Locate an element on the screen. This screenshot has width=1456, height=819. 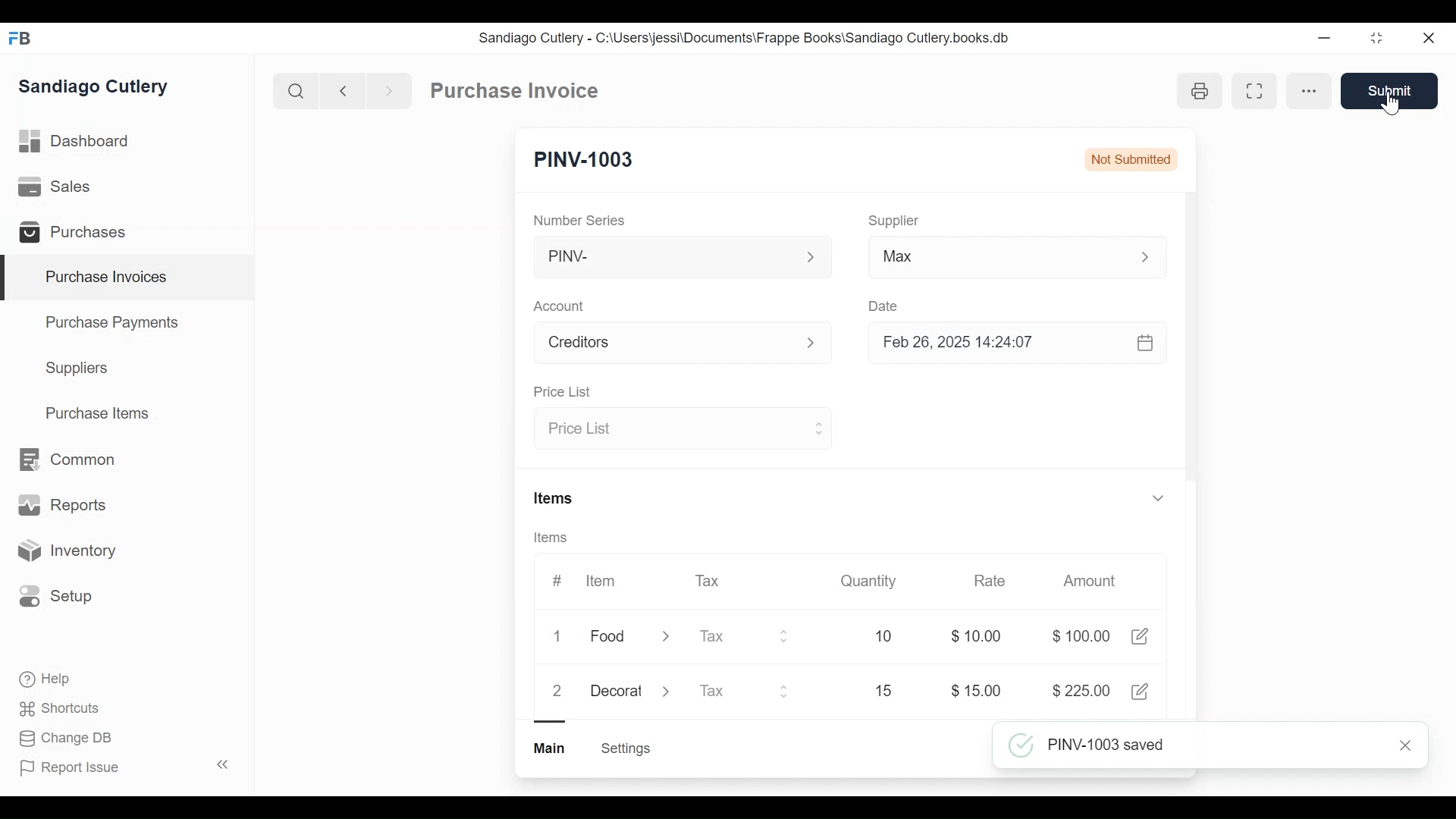
Purchases is located at coordinates (79, 234).